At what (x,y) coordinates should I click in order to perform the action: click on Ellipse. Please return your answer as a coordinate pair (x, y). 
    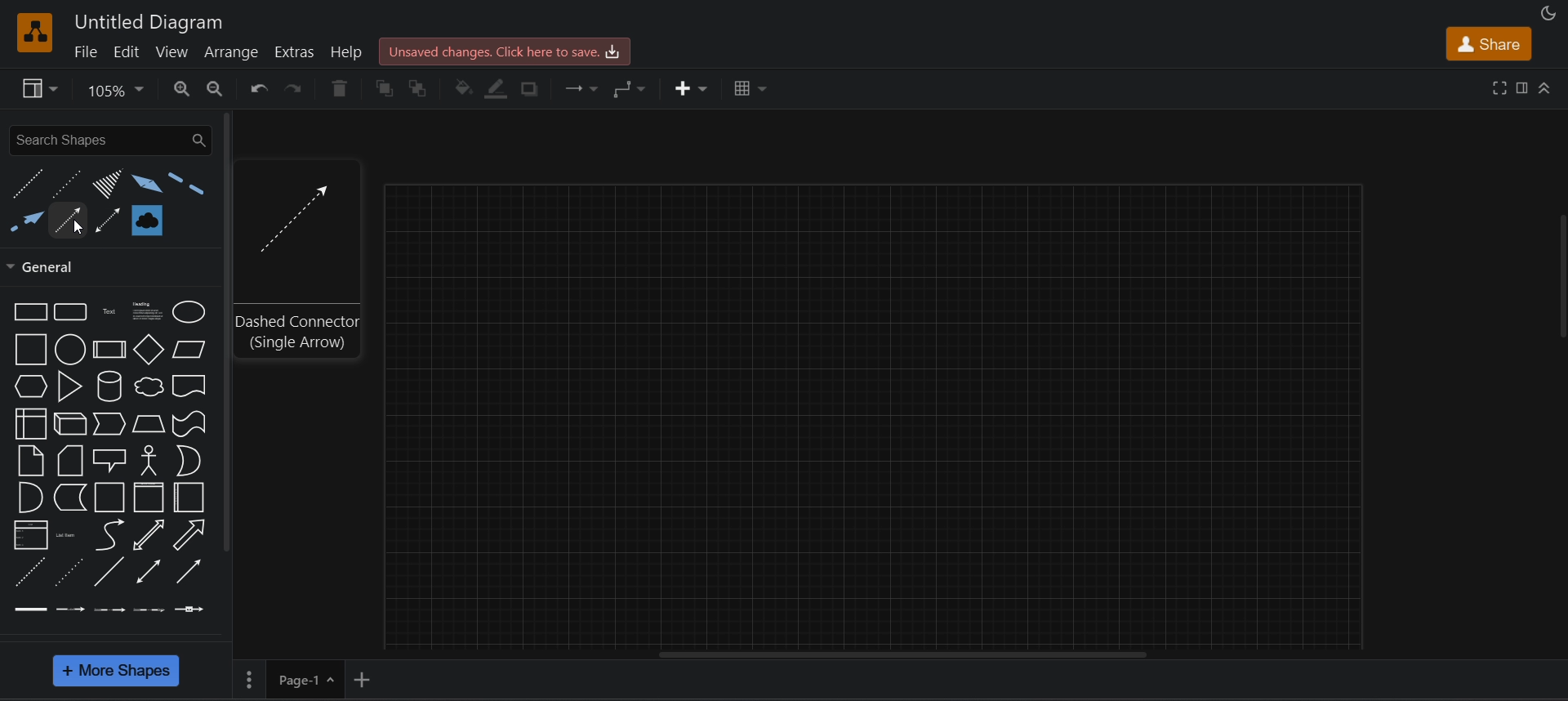
    Looking at the image, I should click on (189, 313).